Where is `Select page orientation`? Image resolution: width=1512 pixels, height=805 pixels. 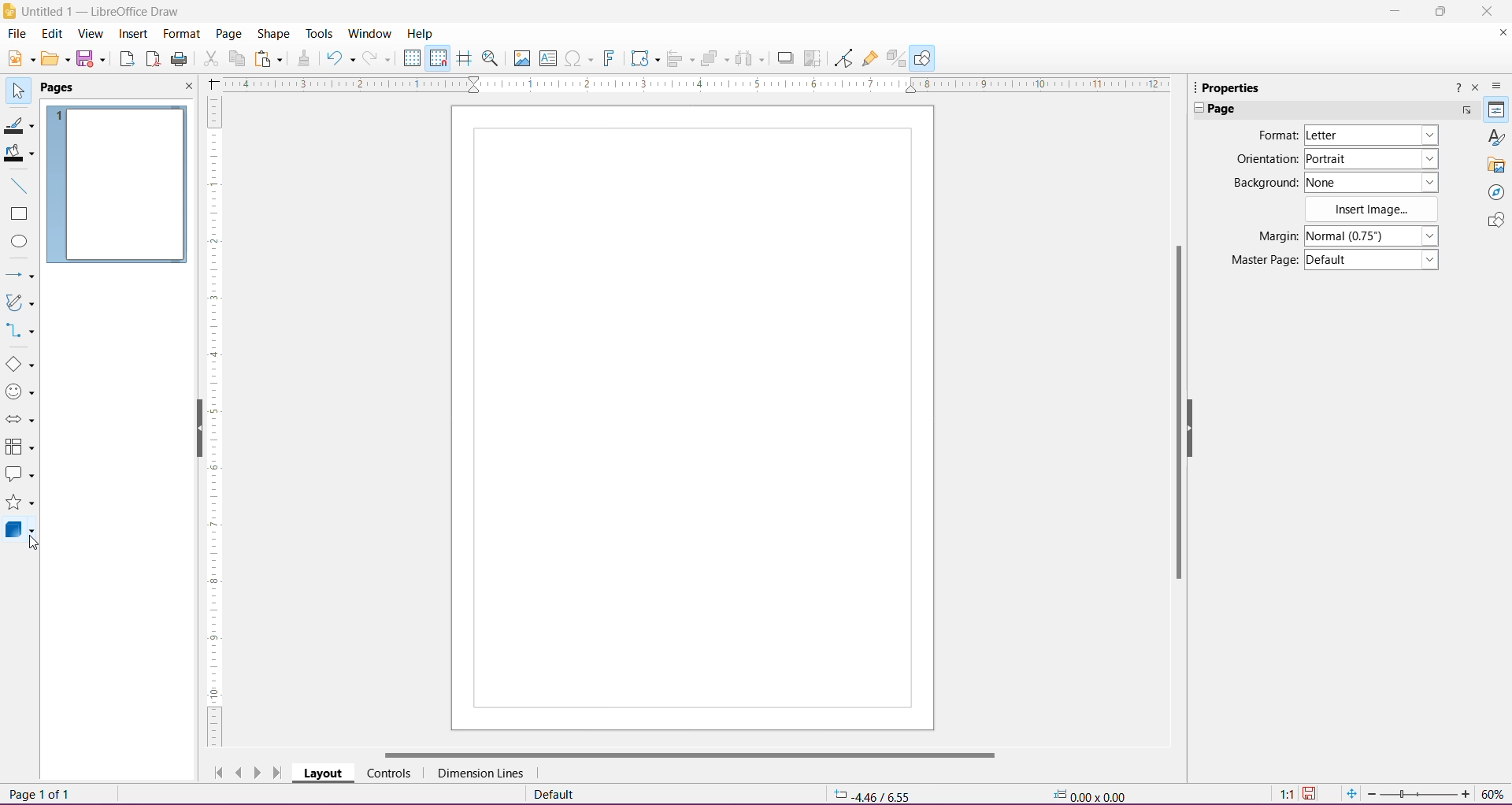 Select page orientation is located at coordinates (1374, 158).